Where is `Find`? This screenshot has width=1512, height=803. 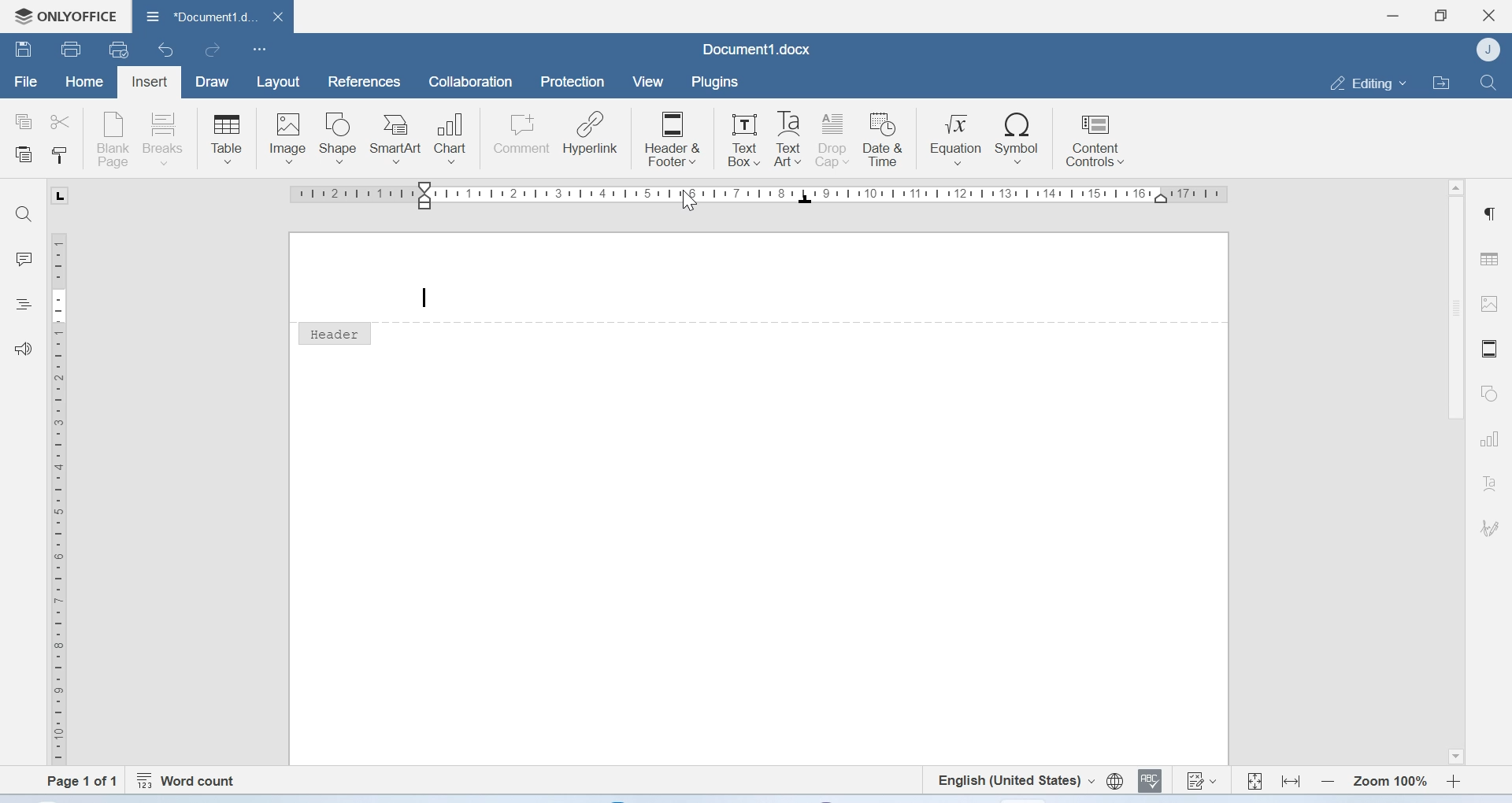
Find is located at coordinates (28, 214).